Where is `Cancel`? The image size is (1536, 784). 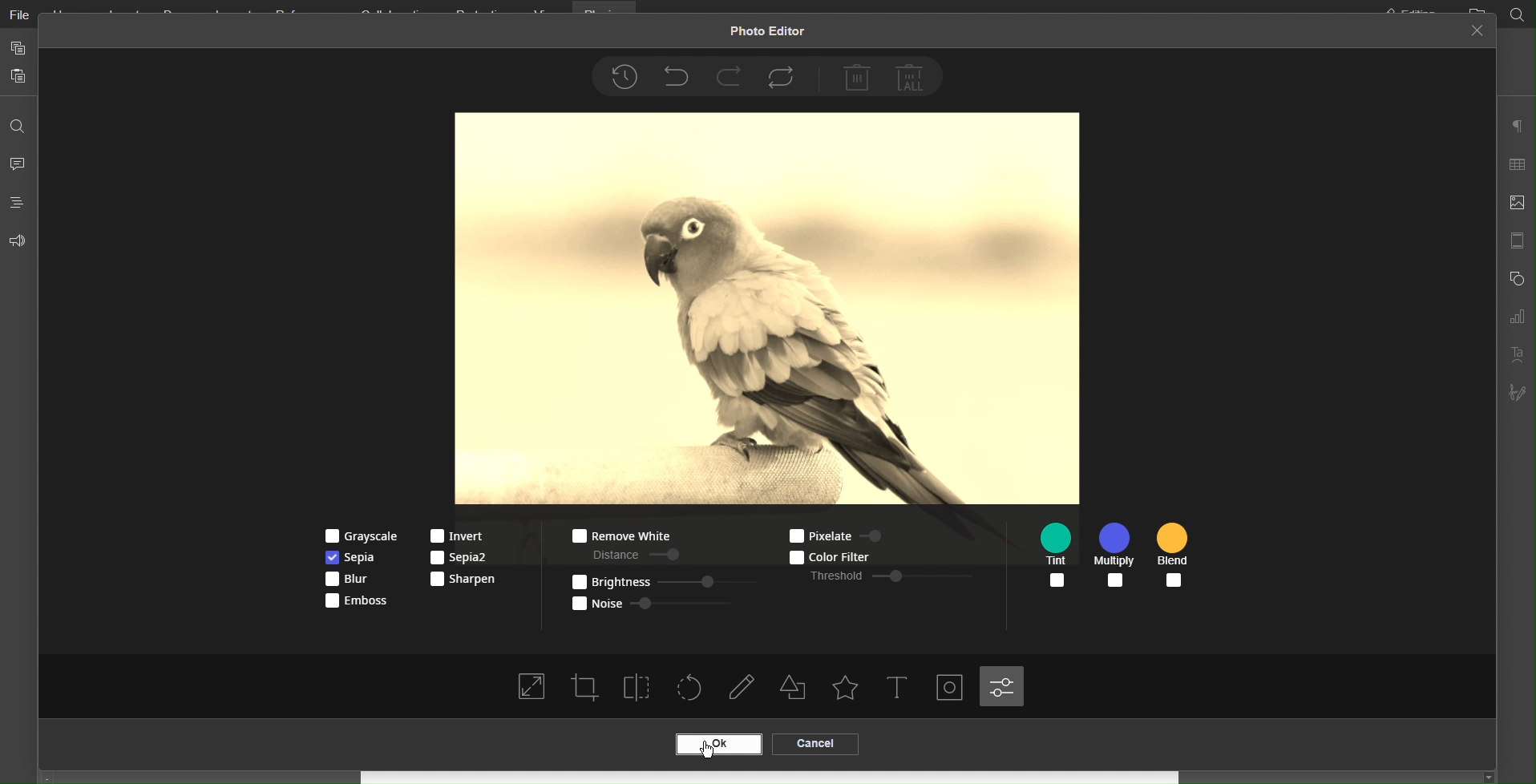 Cancel is located at coordinates (814, 744).